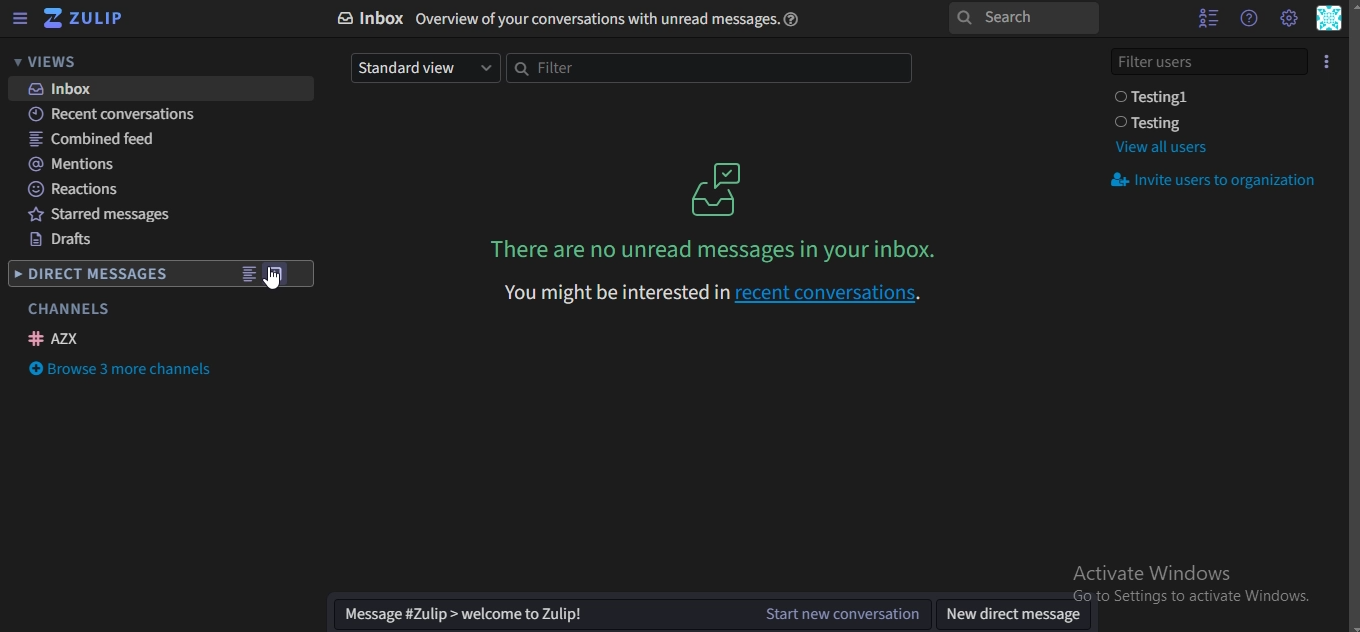 Image resolution: width=1360 pixels, height=632 pixels. What do you see at coordinates (278, 274) in the screenshot?
I see `direct conversation` at bounding box center [278, 274].